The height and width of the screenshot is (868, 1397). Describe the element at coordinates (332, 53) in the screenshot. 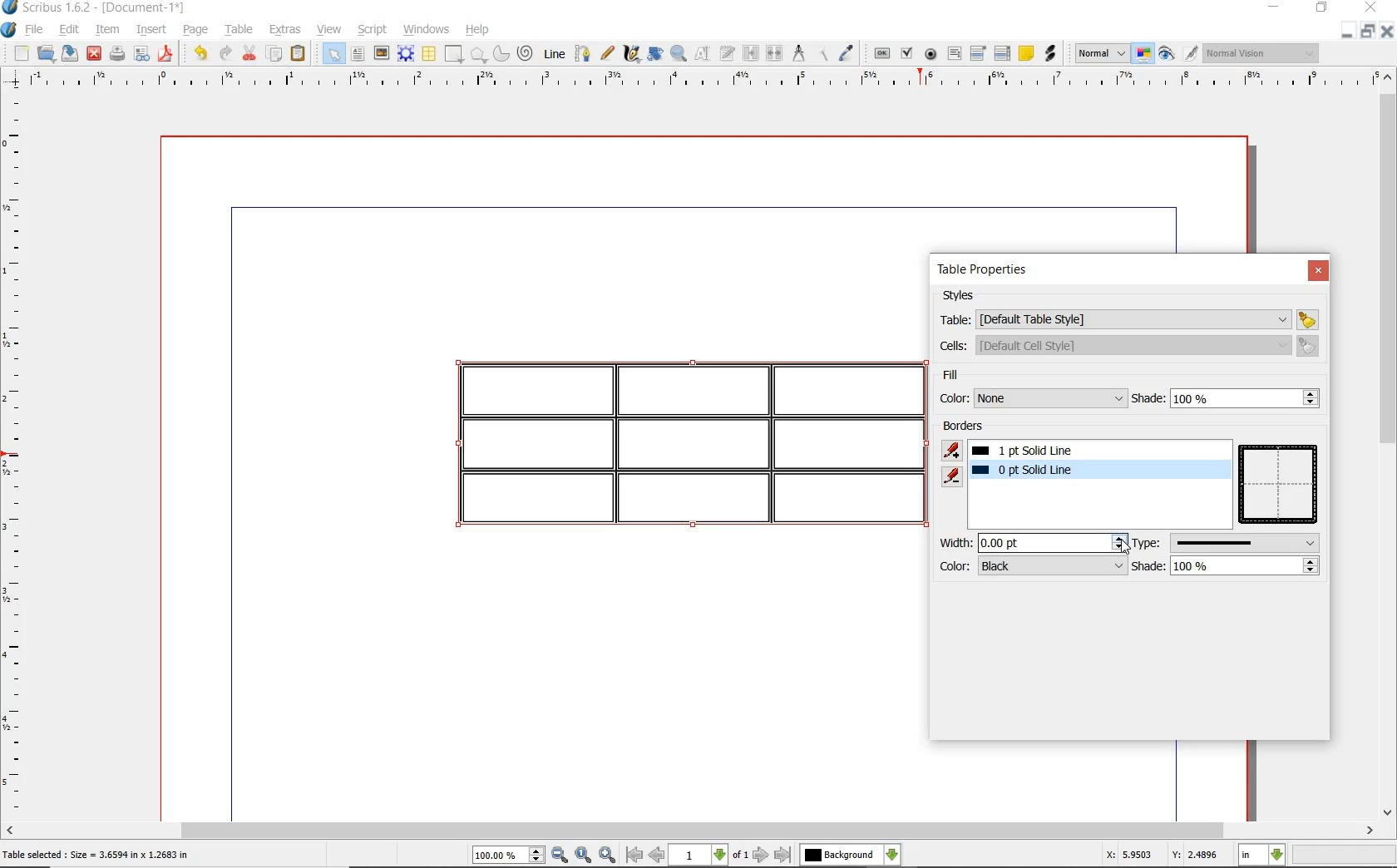

I see `select item` at that location.